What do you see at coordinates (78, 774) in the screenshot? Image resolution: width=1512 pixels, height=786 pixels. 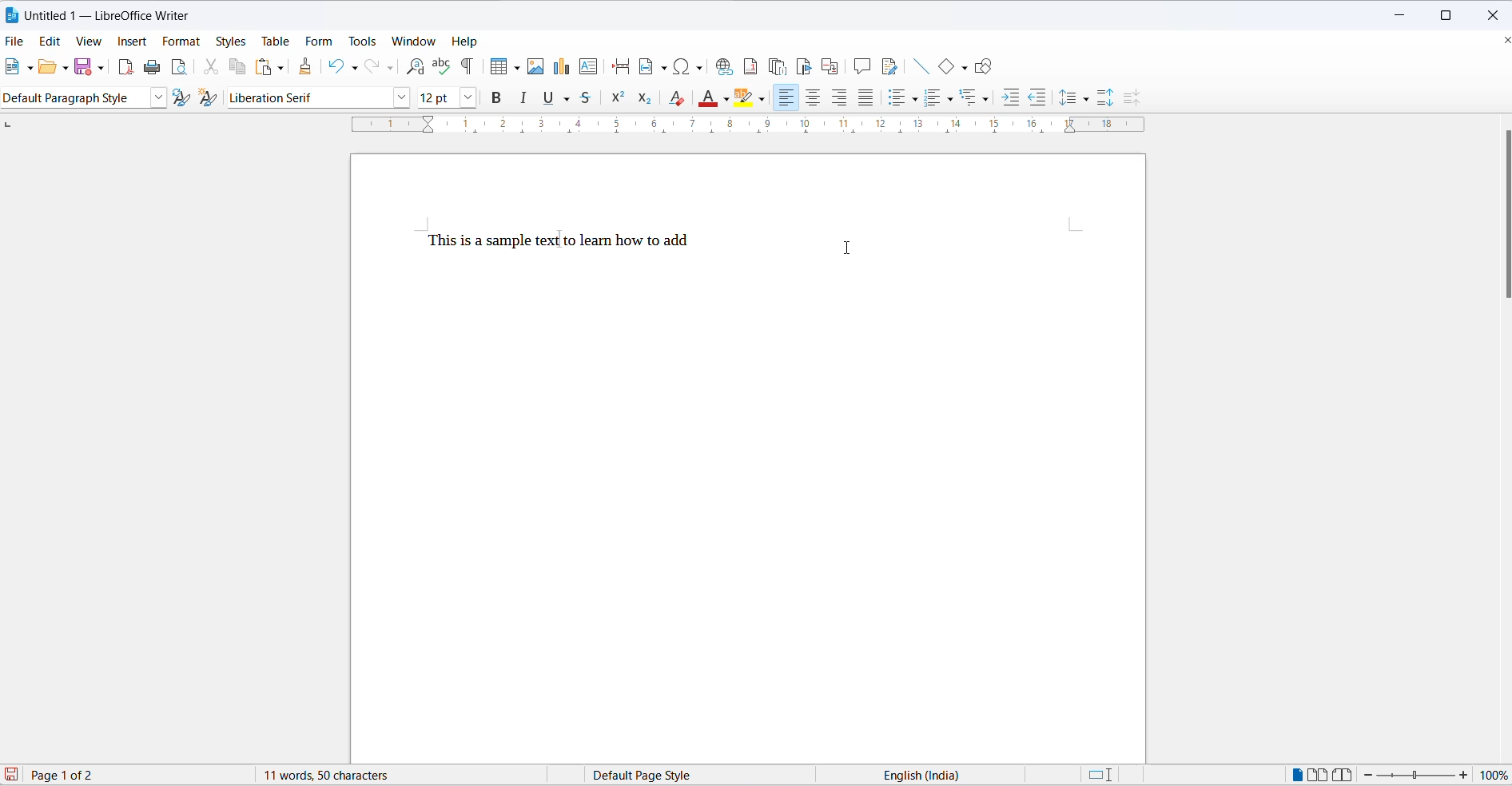 I see `Page 1 of 2` at bounding box center [78, 774].